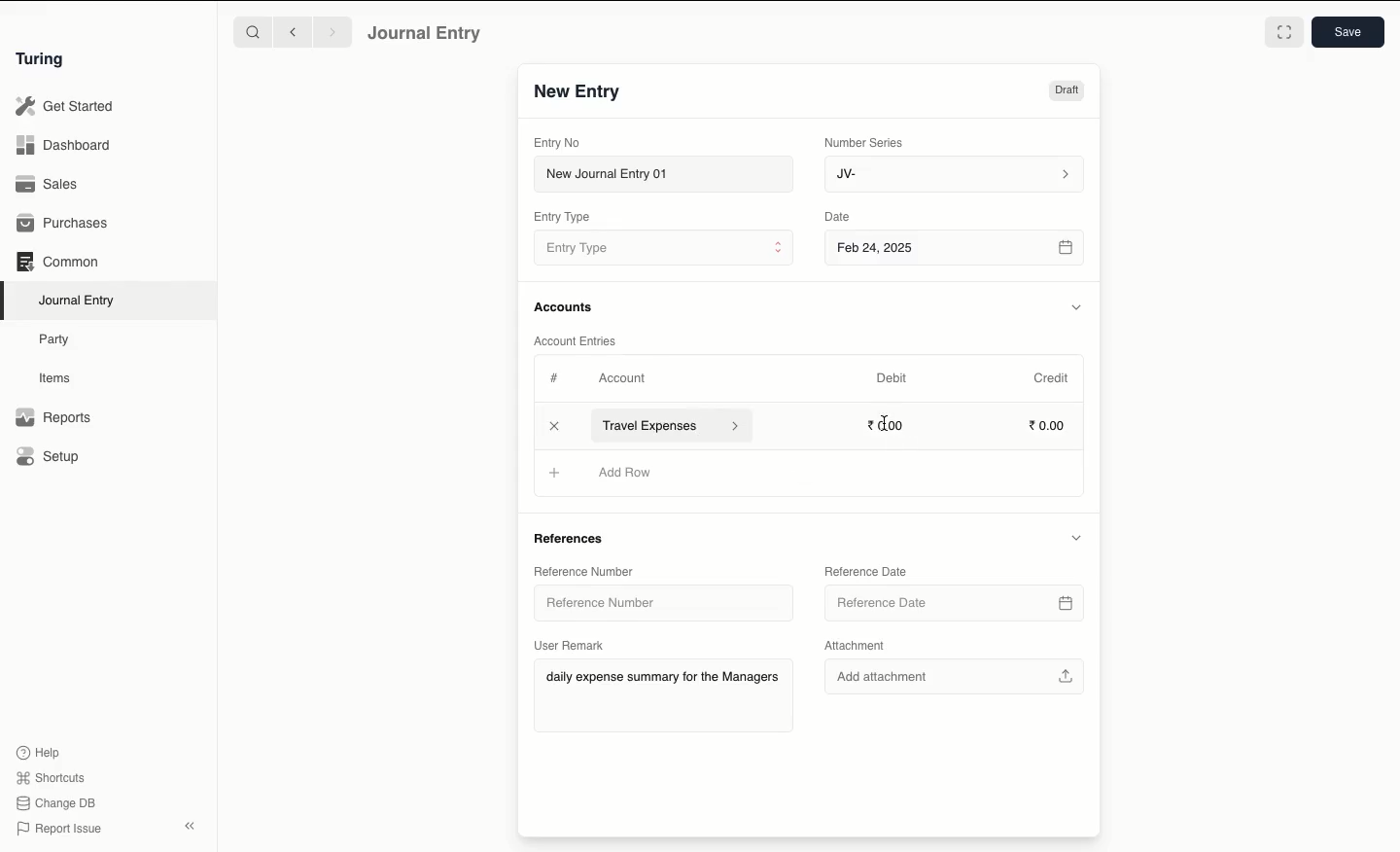 This screenshot has height=852, width=1400. What do you see at coordinates (589, 571) in the screenshot?
I see `Reference Number` at bounding box center [589, 571].